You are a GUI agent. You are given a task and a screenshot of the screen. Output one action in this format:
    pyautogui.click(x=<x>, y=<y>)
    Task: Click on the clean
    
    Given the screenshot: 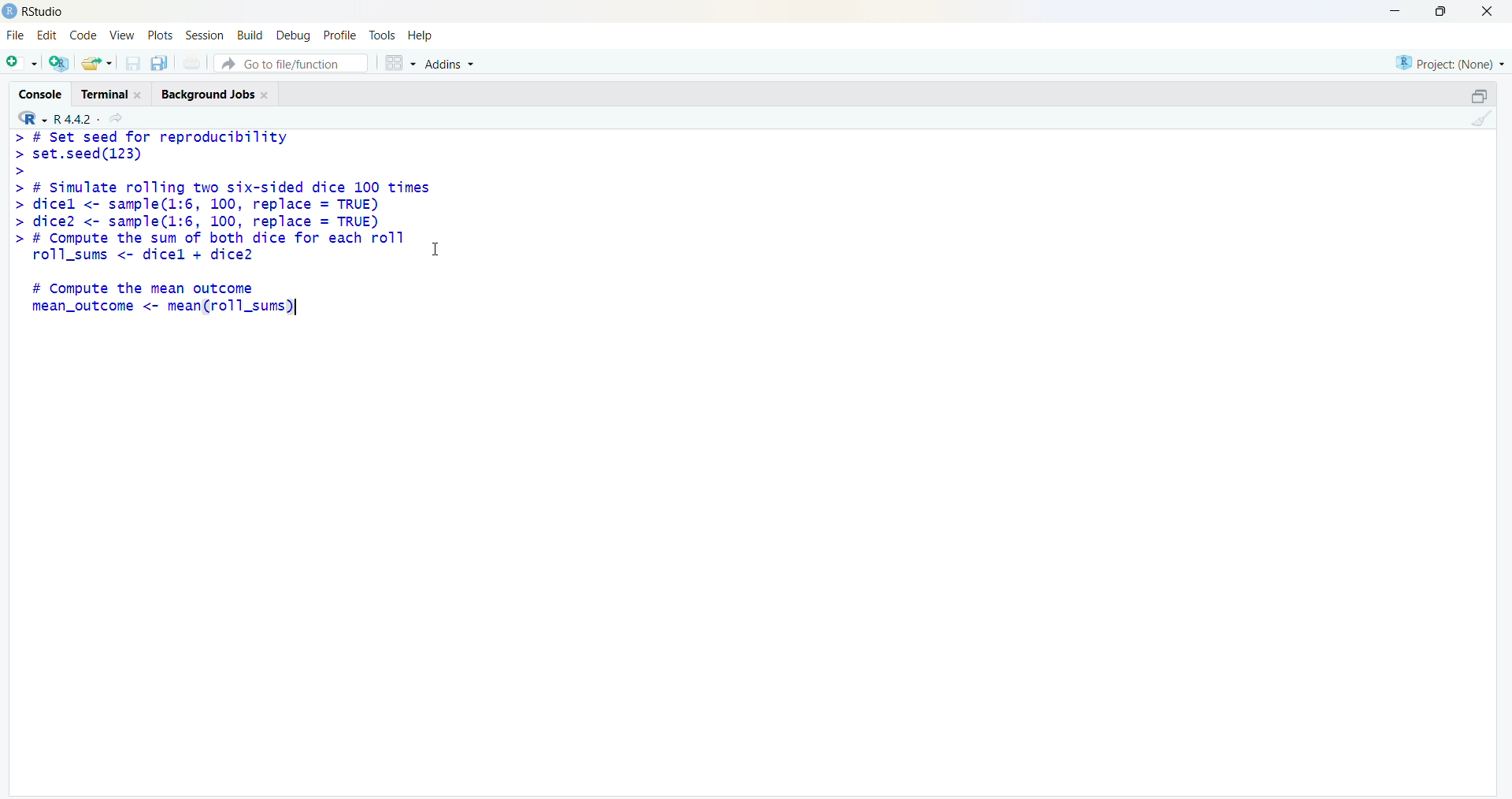 What is the action you would take?
    pyautogui.click(x=1482, y=117)
    